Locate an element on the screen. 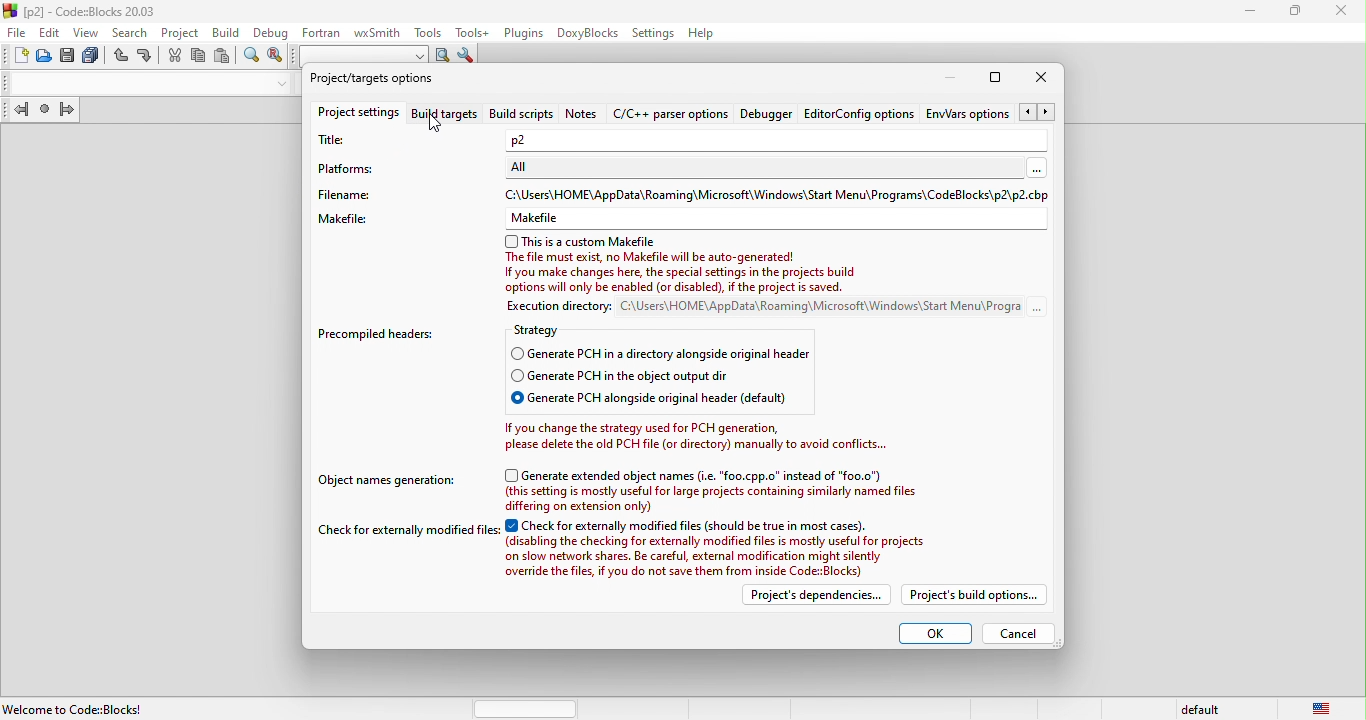 This screenshot has height=720, width=1366. this is a custom makefile is located at coordinates (666, 242).